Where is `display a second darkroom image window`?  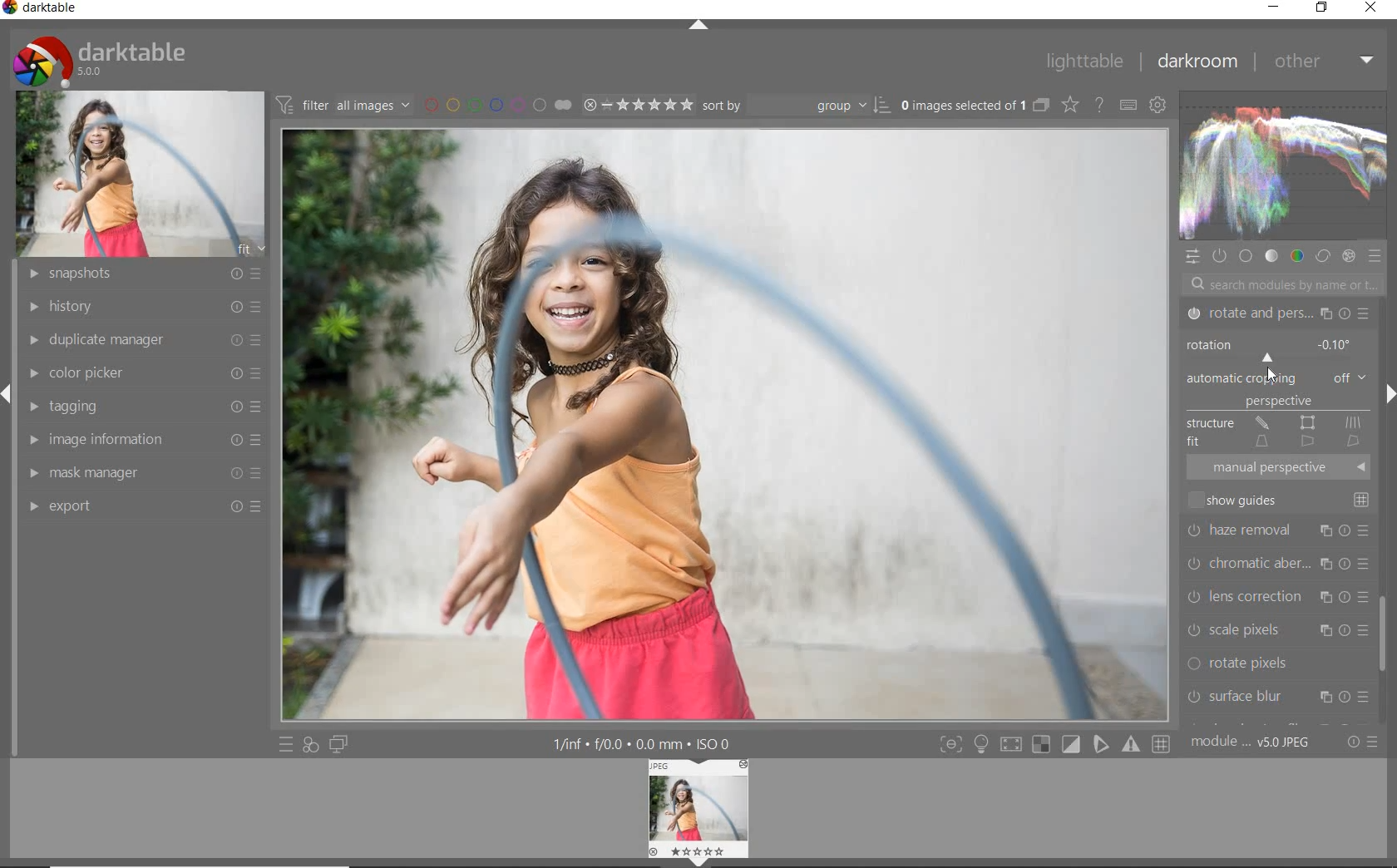
display a second darkroom image window is located at coordinates (338, 745).